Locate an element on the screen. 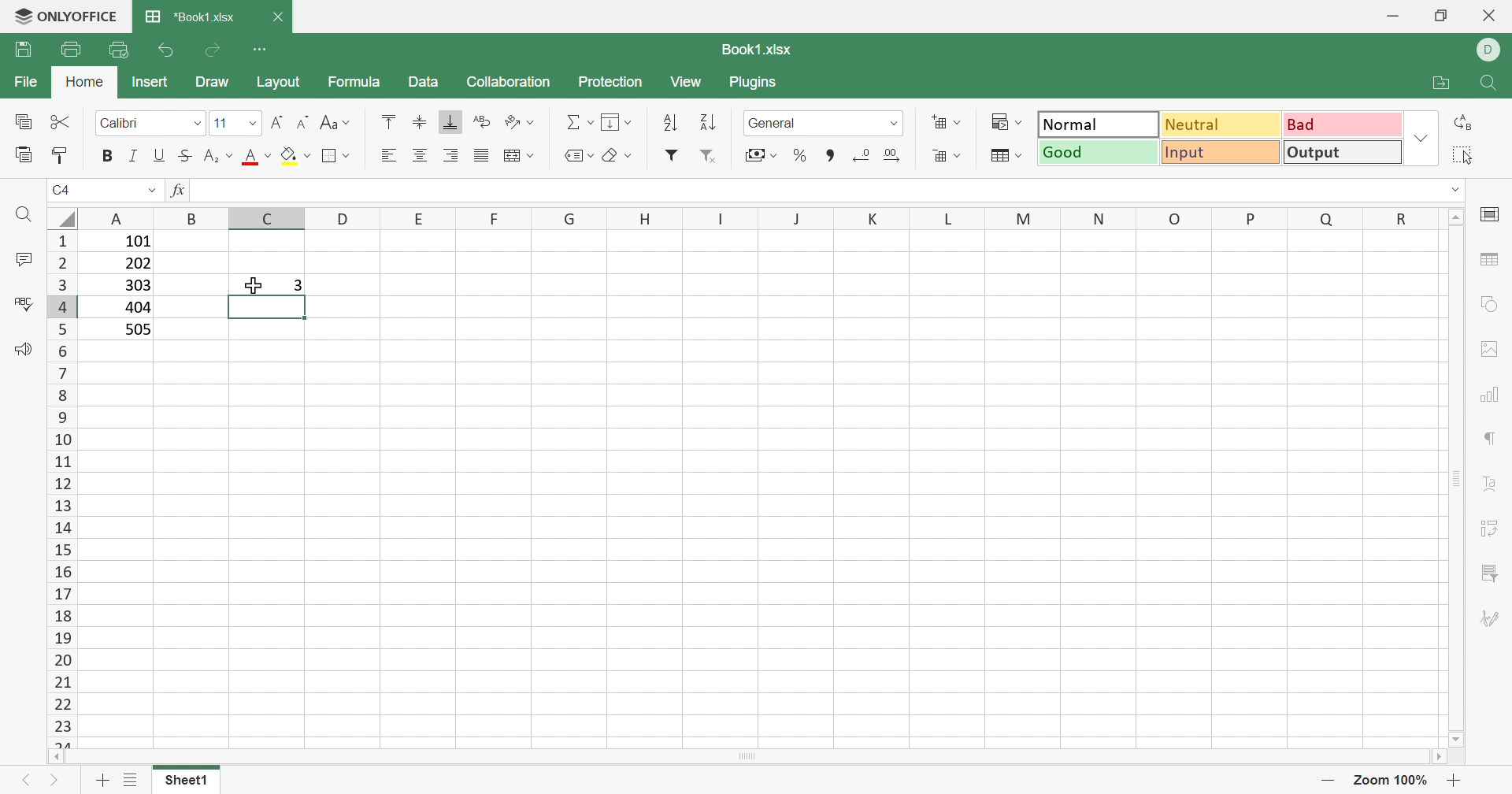 This screenshot has height=794, width=1512. Font color is located at coordinates (258, 158).